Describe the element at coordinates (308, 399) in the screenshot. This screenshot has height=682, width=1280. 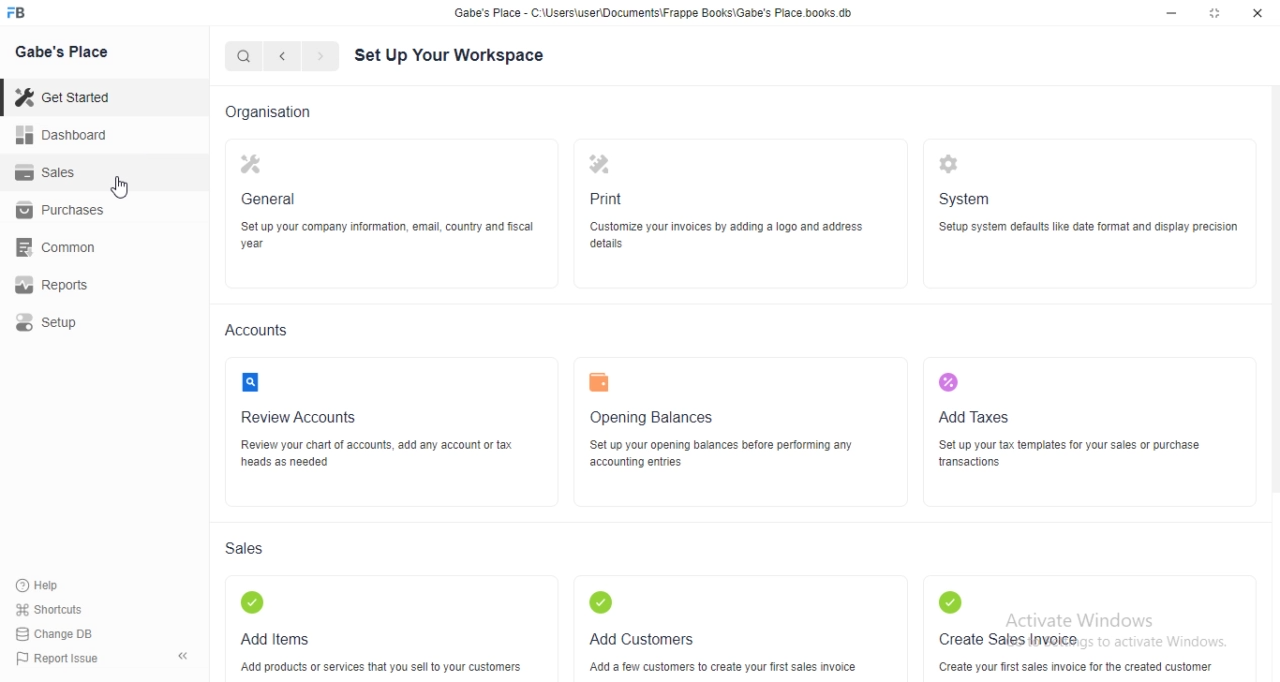
I see `2]
Review Accounts` at that location.